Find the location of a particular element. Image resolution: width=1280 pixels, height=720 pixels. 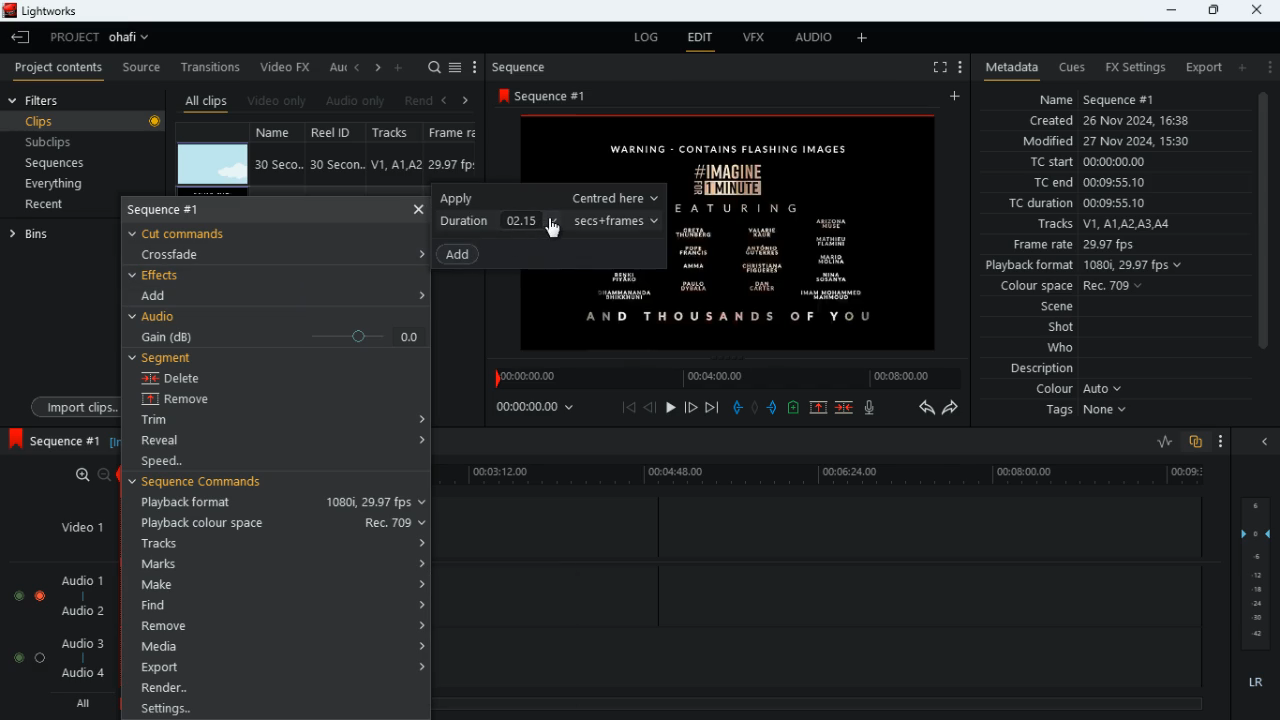

video fx is located at coordinates (286, 68).